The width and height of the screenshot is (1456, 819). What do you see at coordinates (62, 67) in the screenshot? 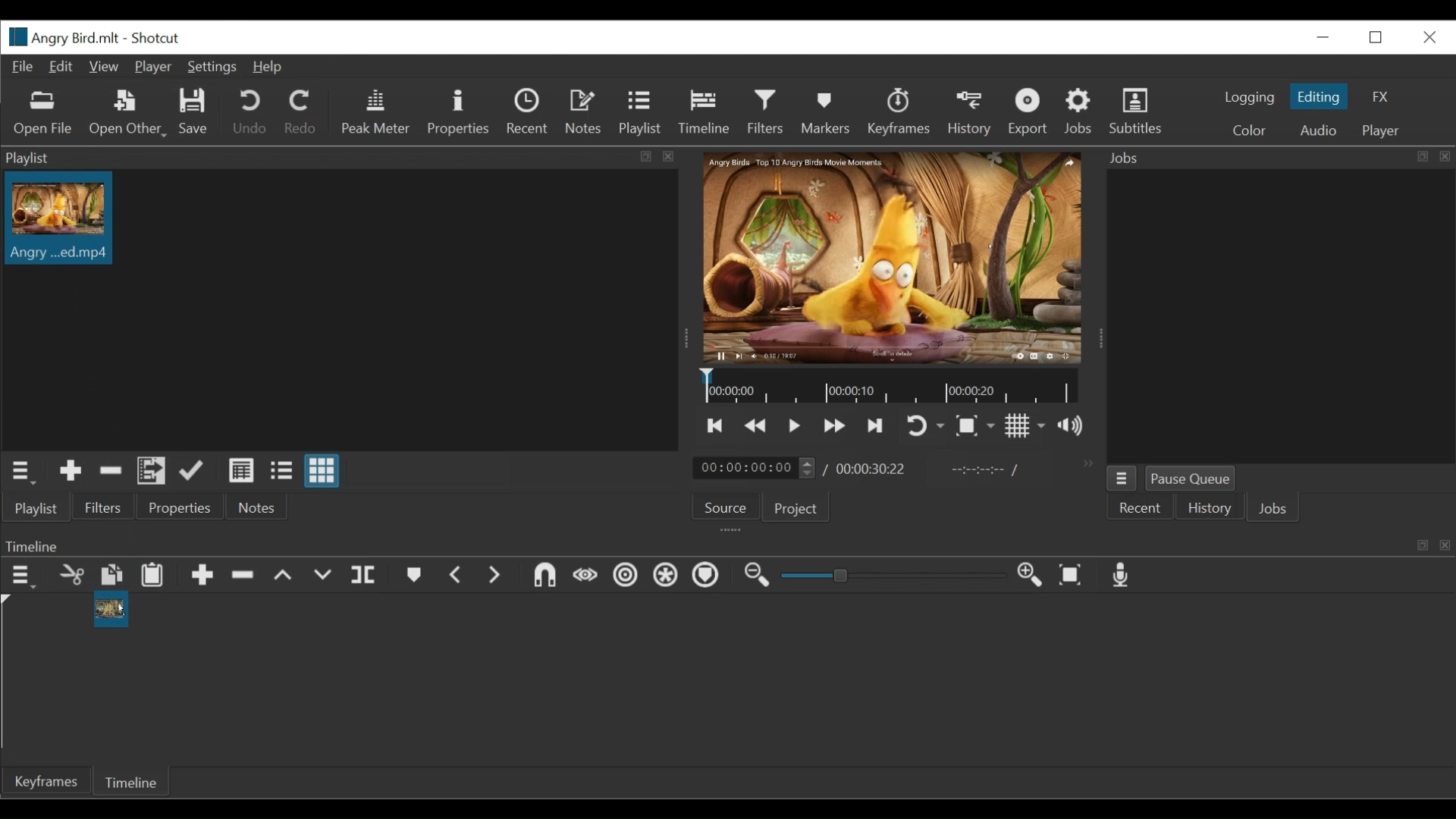
I see `Edit` at bounding box center [62, 67].